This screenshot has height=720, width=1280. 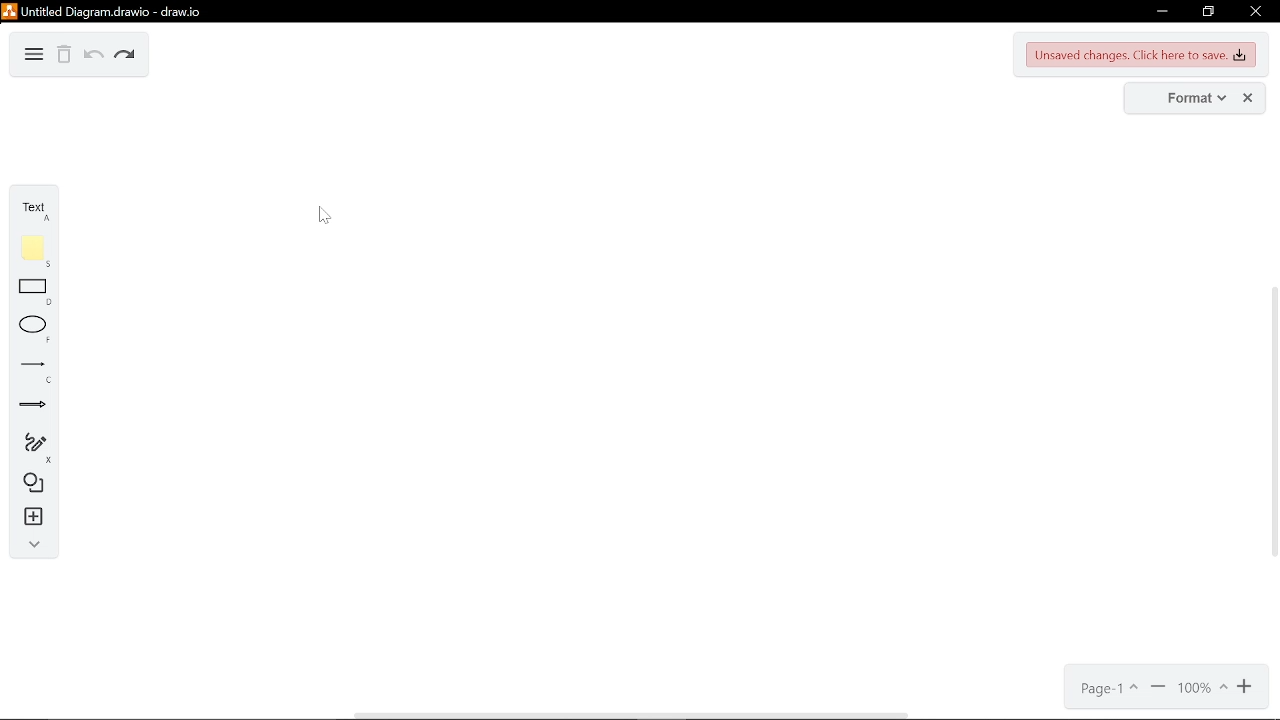 What do you see at coordinates (30, 484) in the screenshot?
I see `shapes` at bounding box center [30, 484].